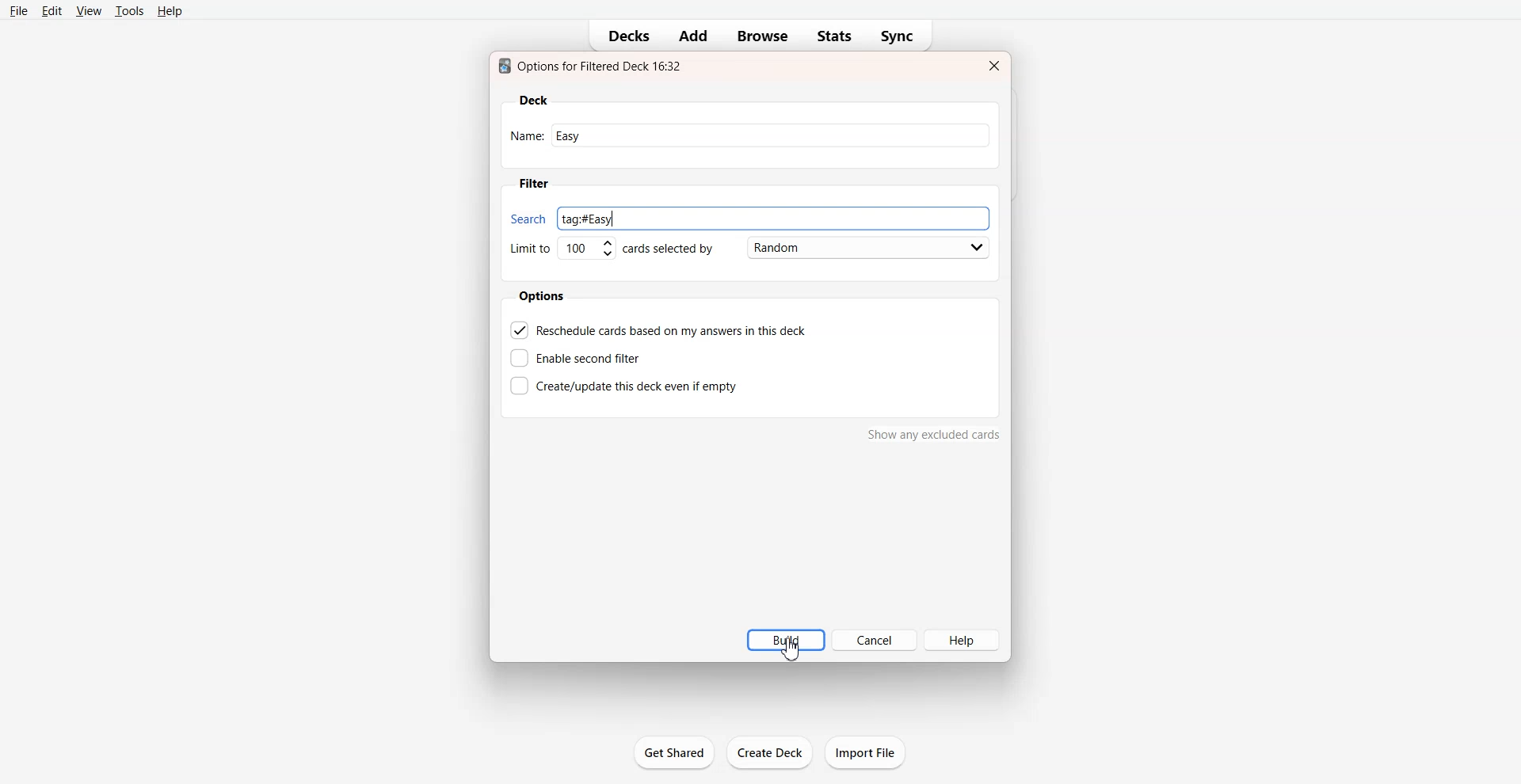 The image size is (1521, 784). Describe the element at coordinates (902, 36) in the screenshot. I see `Sync` at that location.